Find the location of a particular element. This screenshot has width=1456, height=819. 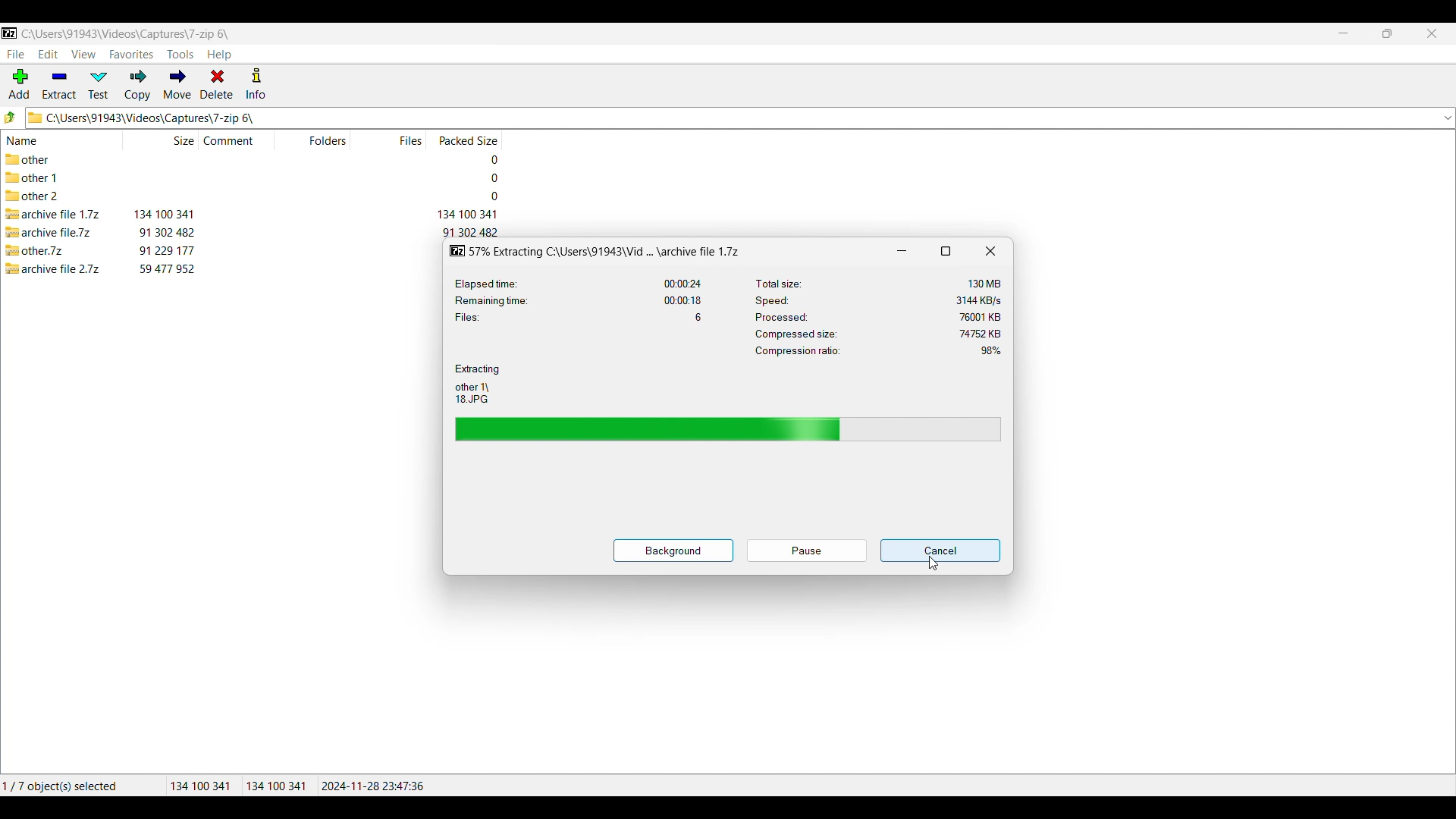

other  is located at coordinates (38, 159).